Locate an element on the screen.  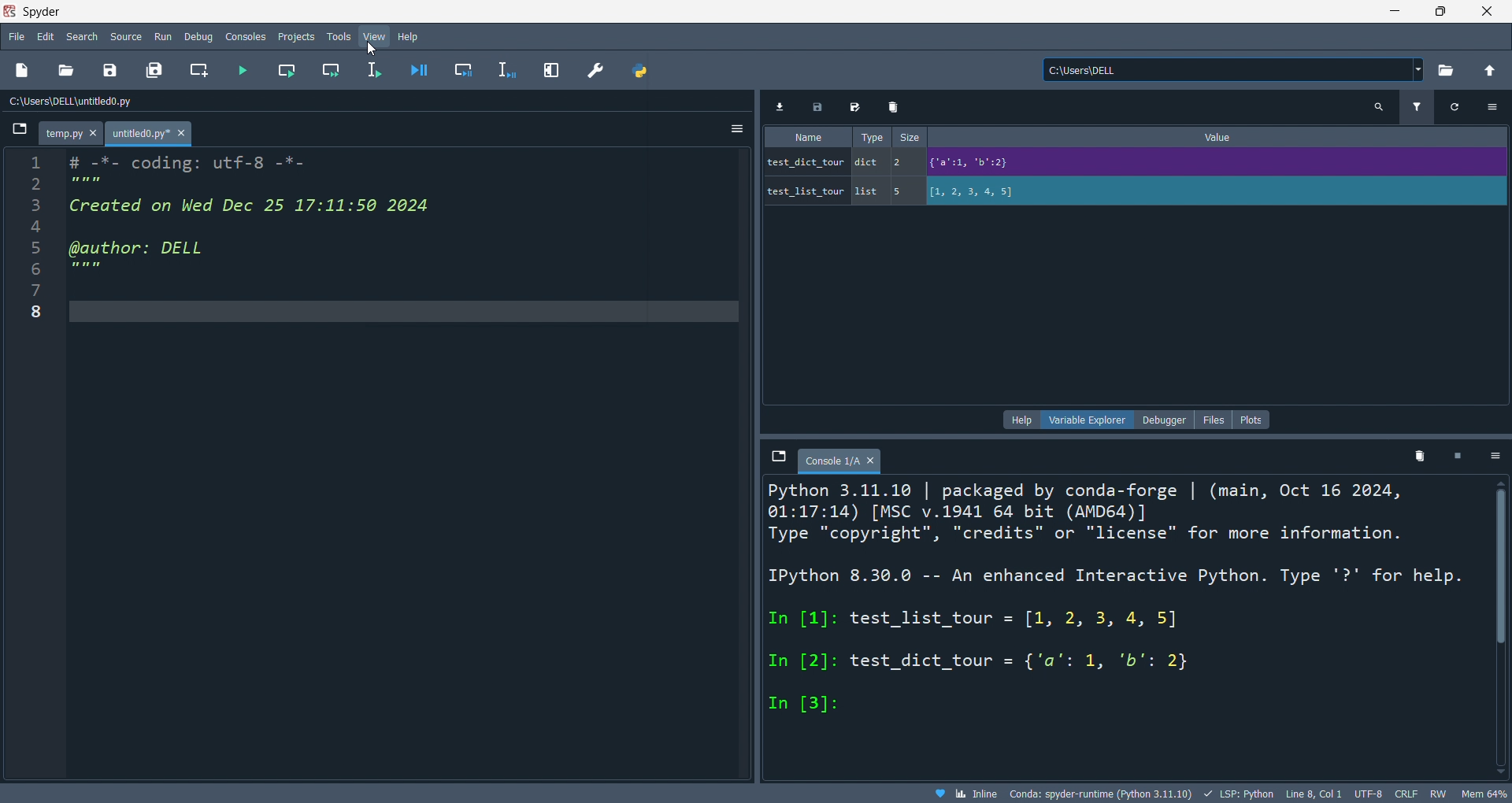
variable name is located at coordinates (805, 161).